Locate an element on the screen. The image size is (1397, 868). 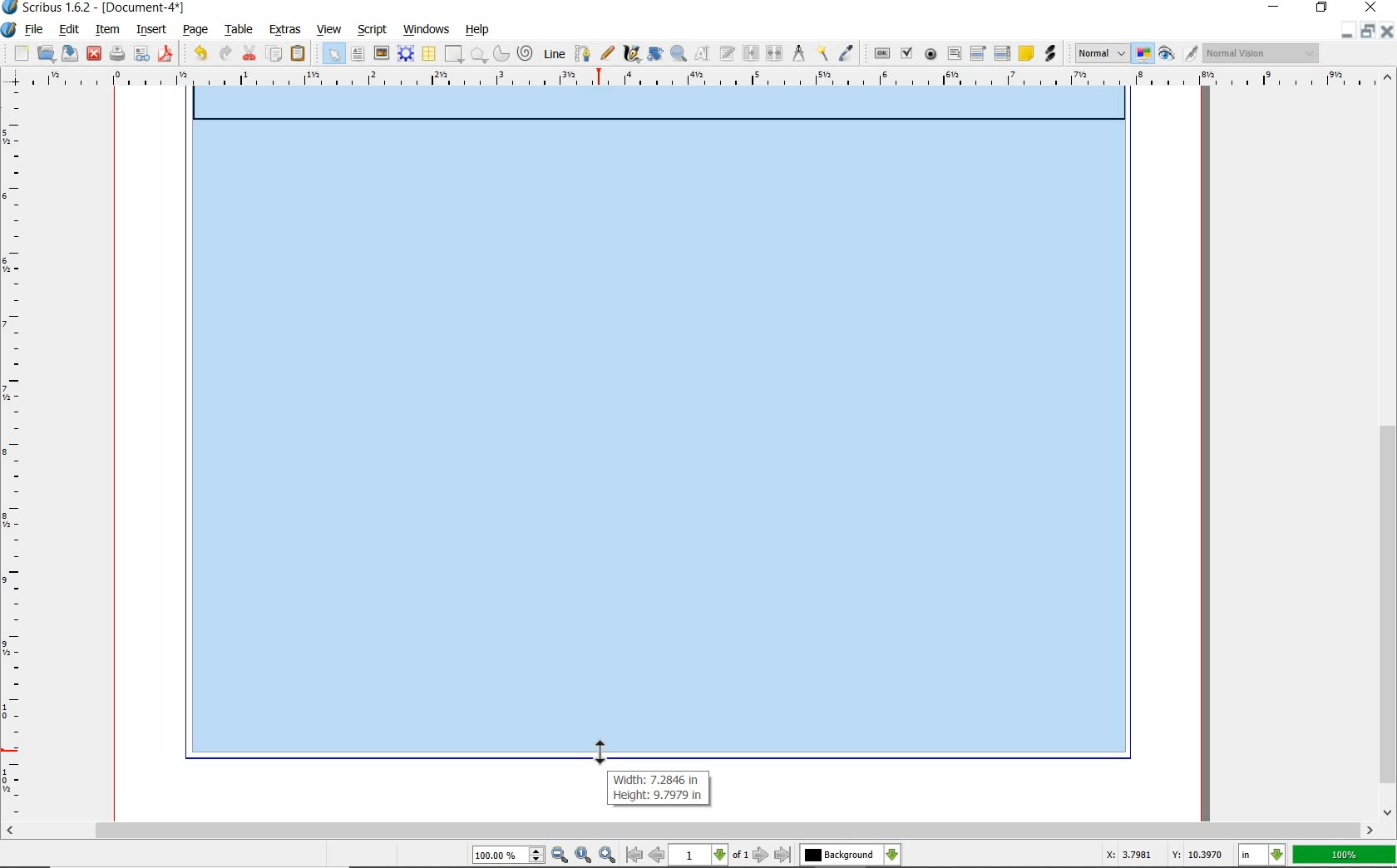
close is located at coordinates (1370, 8).